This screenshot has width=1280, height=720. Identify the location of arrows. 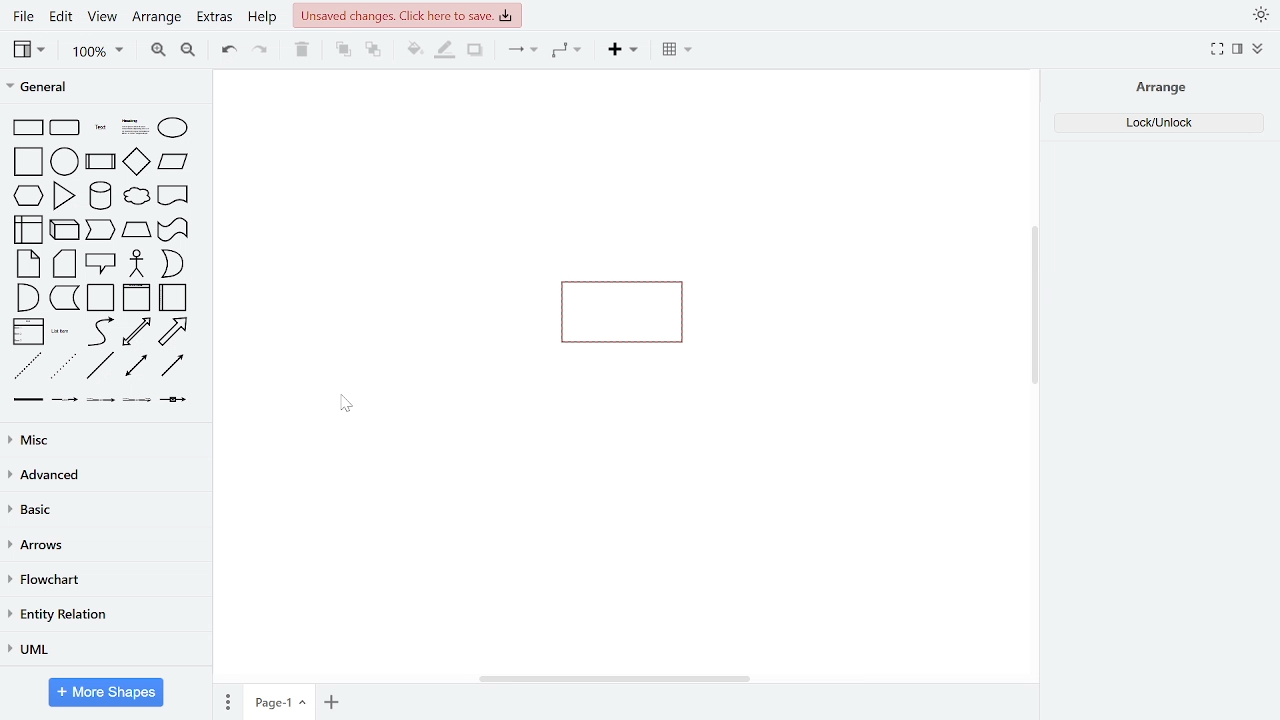
(105, 549).